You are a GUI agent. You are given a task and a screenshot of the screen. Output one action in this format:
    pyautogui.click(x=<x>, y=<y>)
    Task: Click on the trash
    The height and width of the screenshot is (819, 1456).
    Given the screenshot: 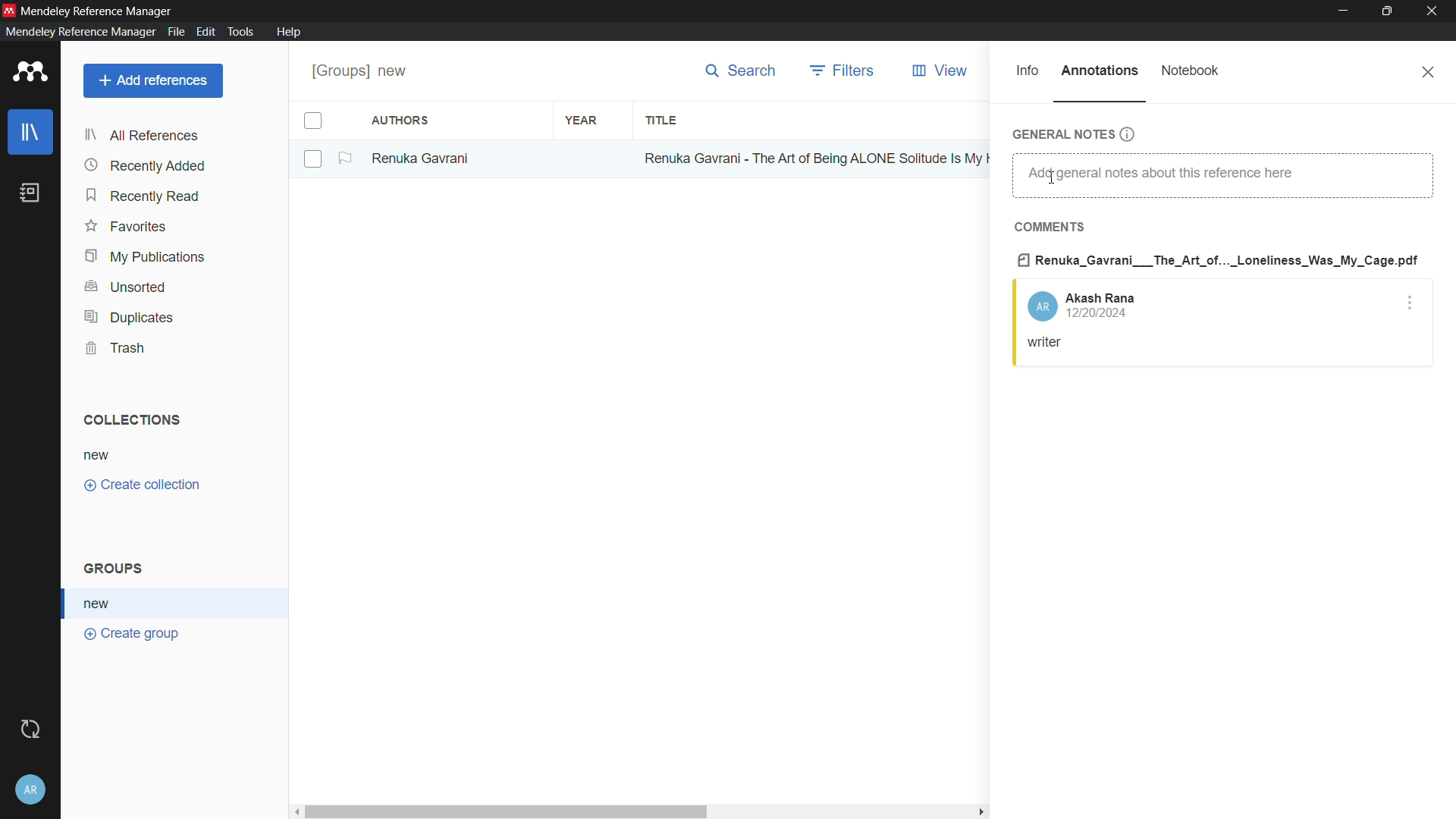 What is the action you would take?
    pyautogui.click(x=115, y=348)
    